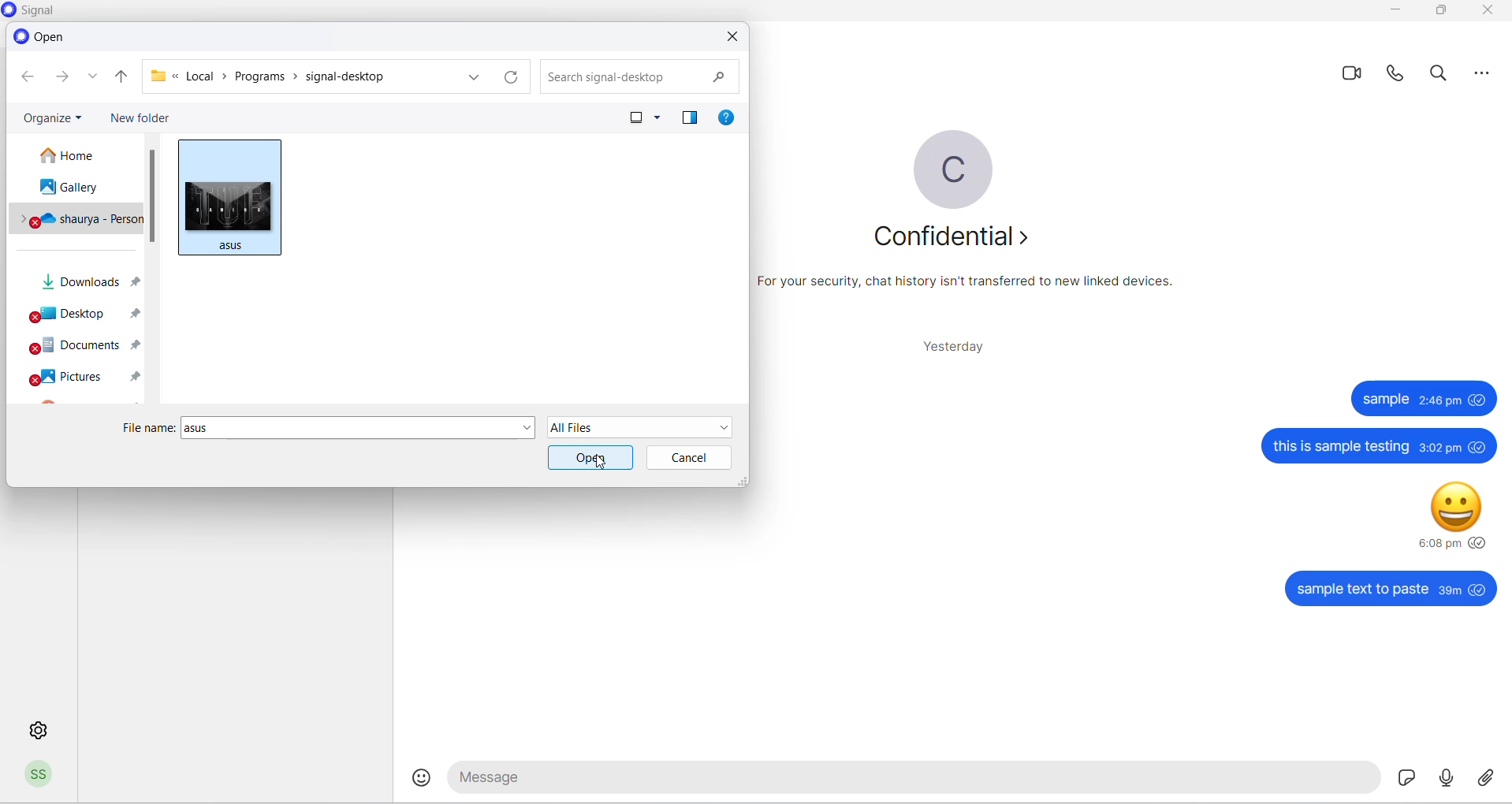 This screenshot has height=804, width=1512. I want to click on new folder, so click(143, 117).